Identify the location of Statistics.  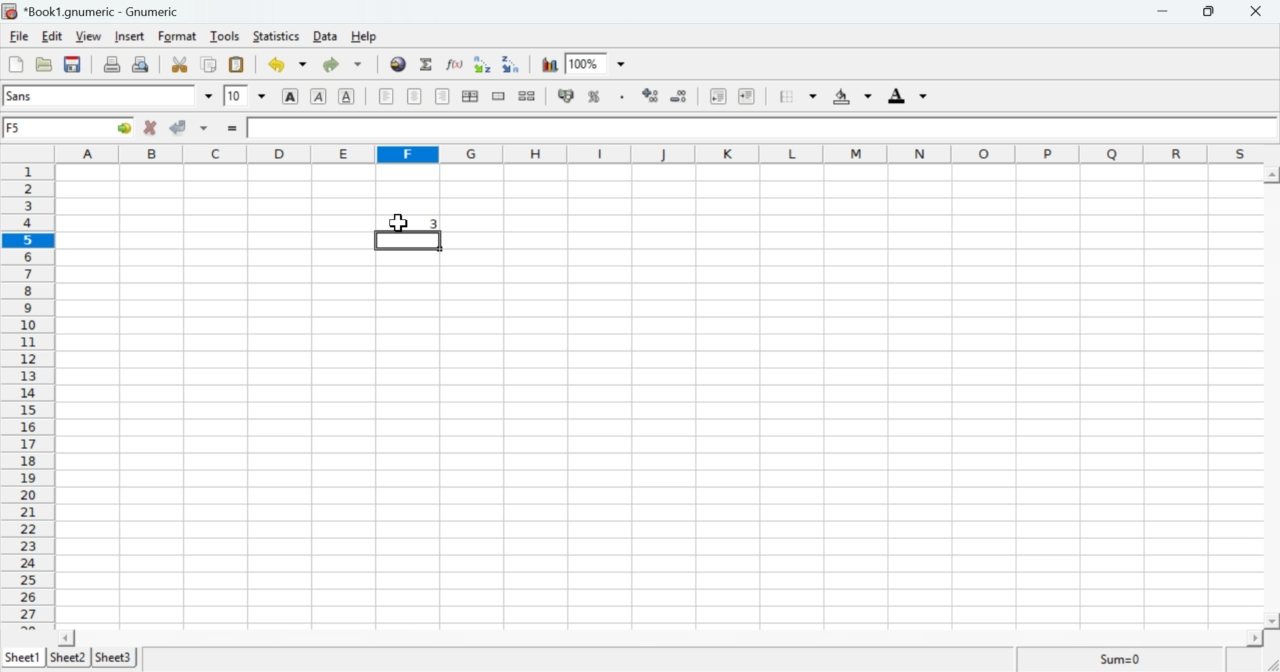
(275, 36).